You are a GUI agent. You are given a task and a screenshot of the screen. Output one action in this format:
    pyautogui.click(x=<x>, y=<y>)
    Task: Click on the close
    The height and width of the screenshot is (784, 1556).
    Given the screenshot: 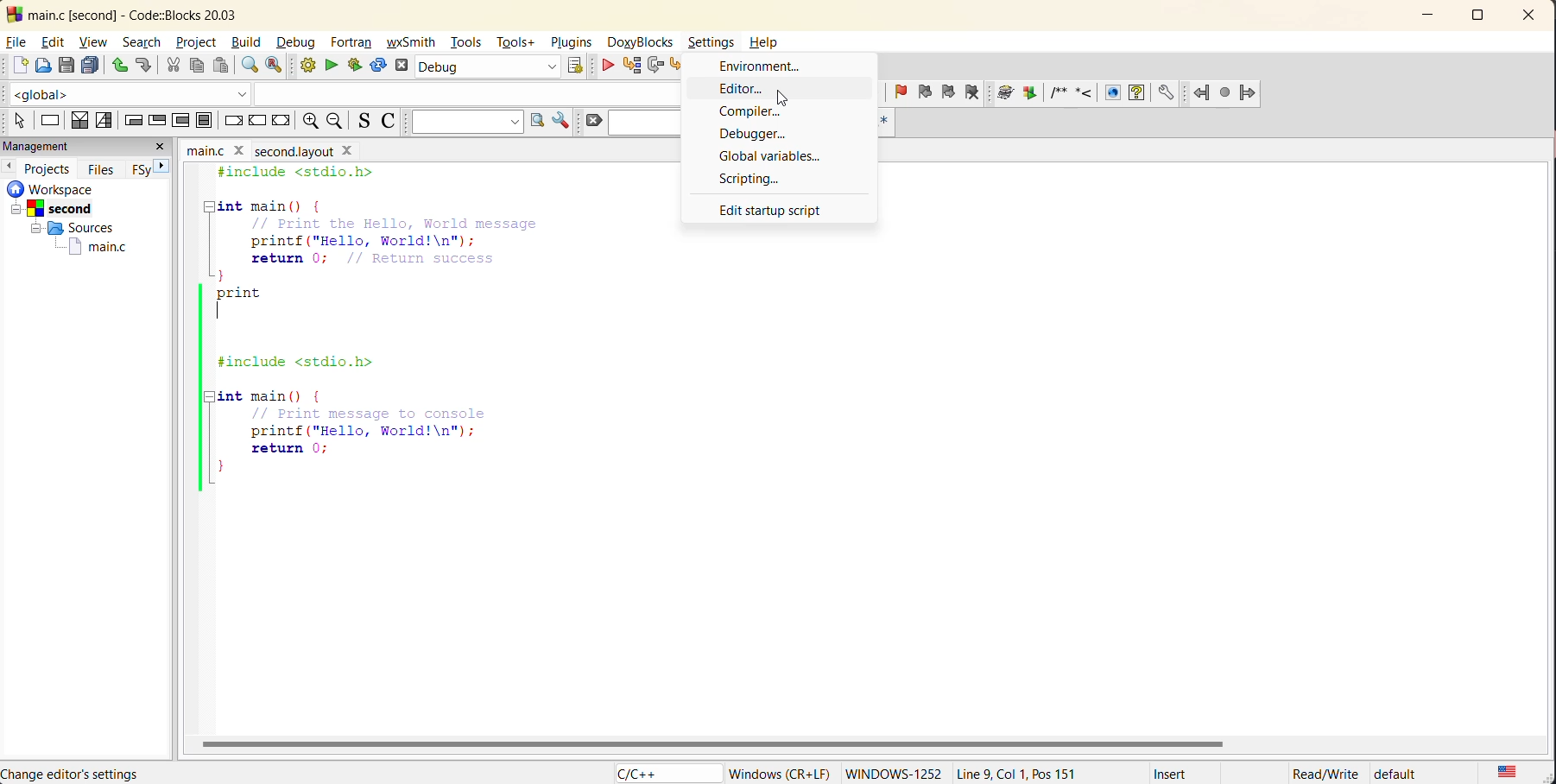 What is the action you would take?
    pyautogui.click(x=1534, y=15)
    